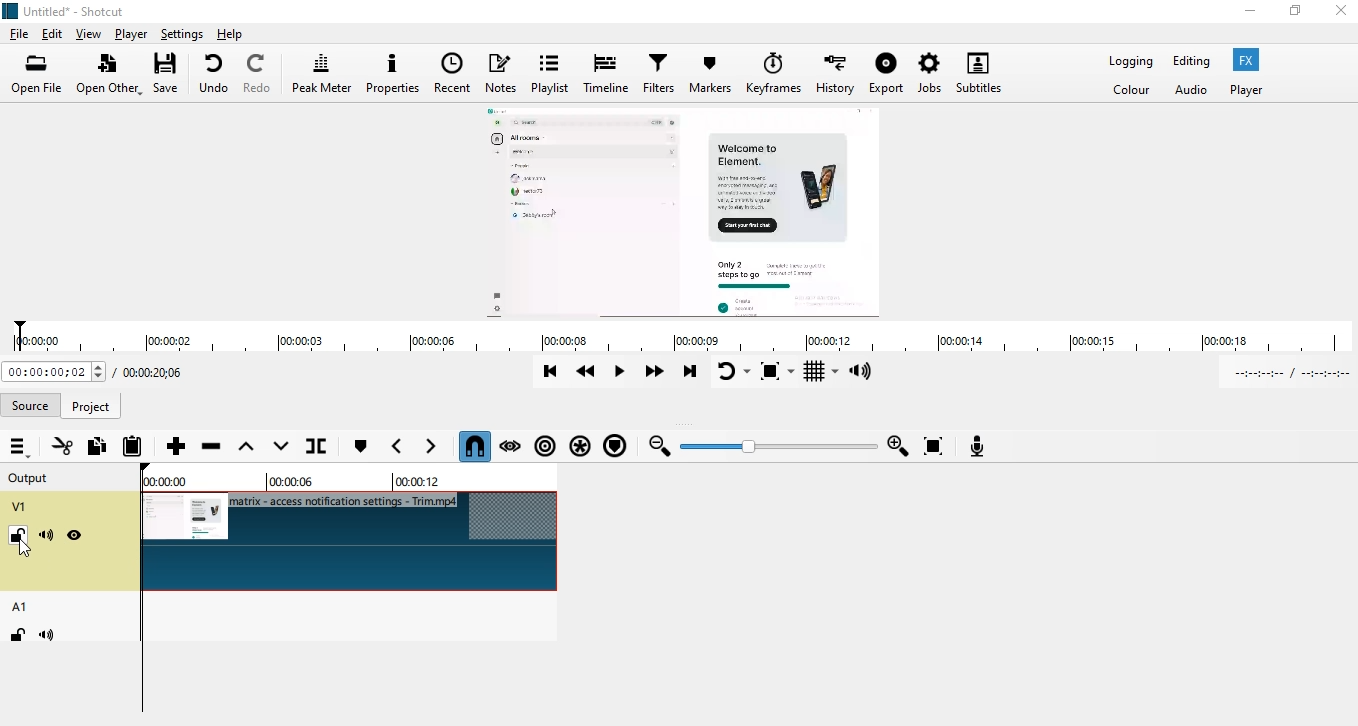  I want to click on recent, so click(455, 72).